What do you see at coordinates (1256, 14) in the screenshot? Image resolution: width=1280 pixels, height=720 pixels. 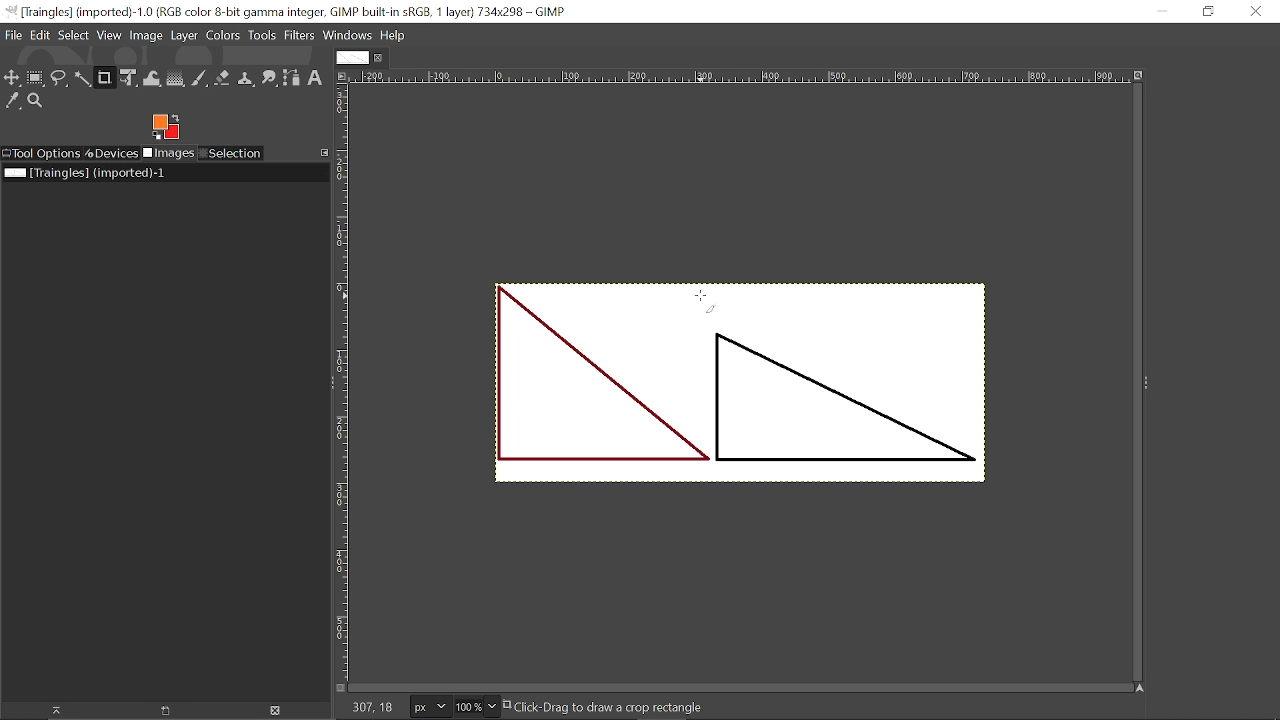 I see `Close` at bounding box center [1256, 14].